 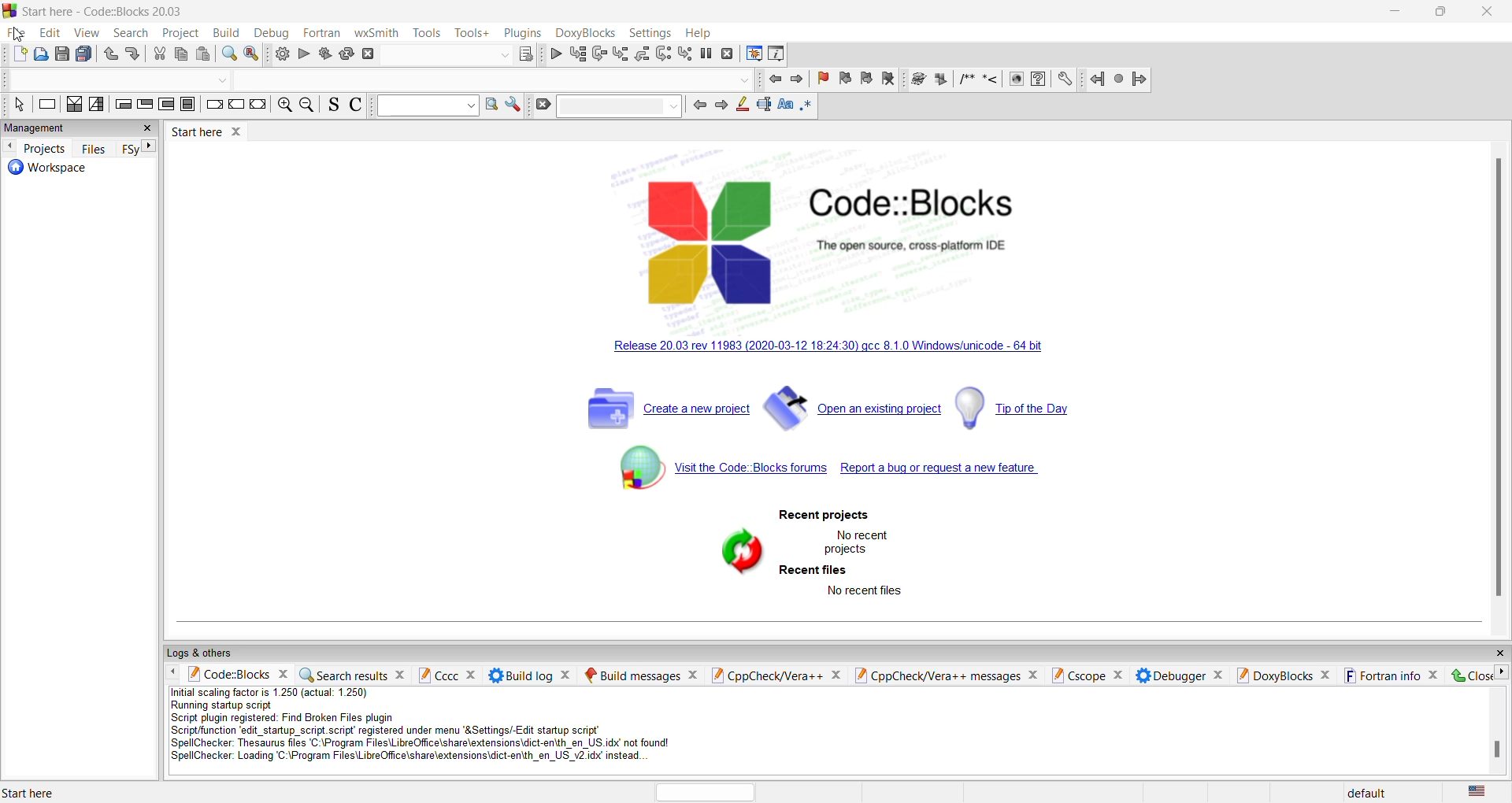 I want to click on open an existing project, so click(x=851, y=406).